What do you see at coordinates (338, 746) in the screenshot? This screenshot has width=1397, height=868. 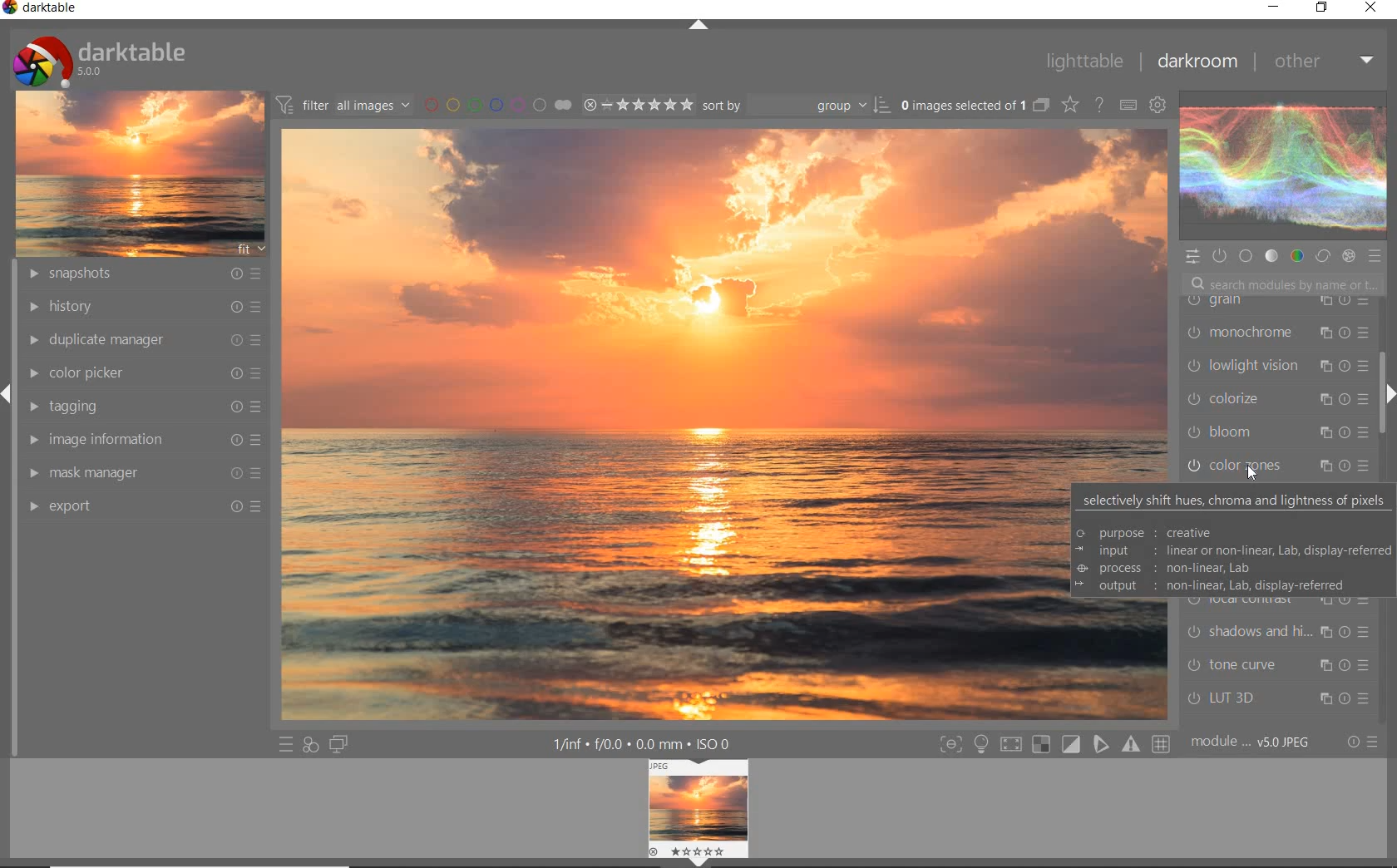 I see `DISPLAY A SECOND DARKROOM IMAGE WINDOW` at bounding box center [338, 746].